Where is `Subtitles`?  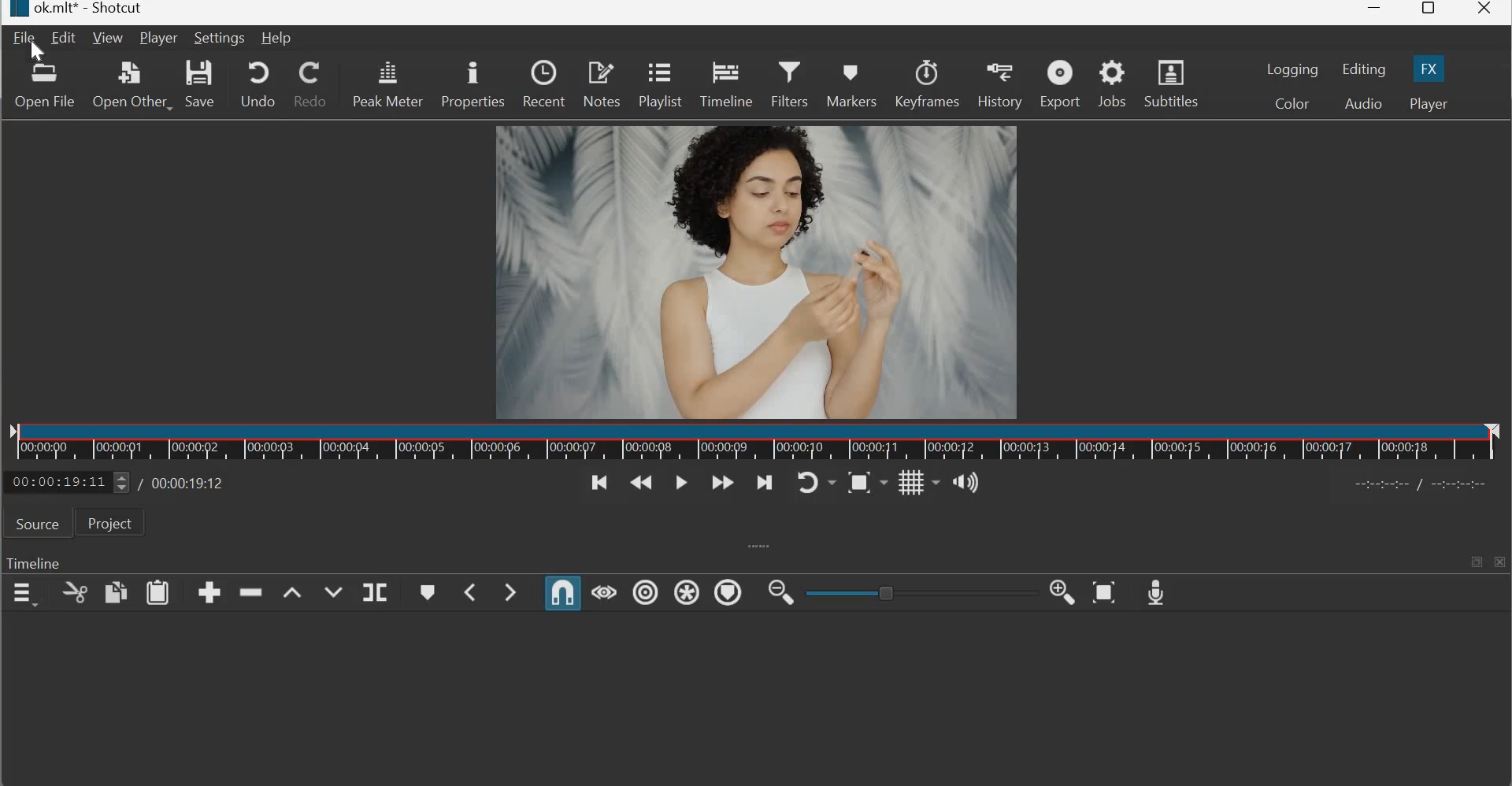 Subtitles is located at coordinates (1176, 82).